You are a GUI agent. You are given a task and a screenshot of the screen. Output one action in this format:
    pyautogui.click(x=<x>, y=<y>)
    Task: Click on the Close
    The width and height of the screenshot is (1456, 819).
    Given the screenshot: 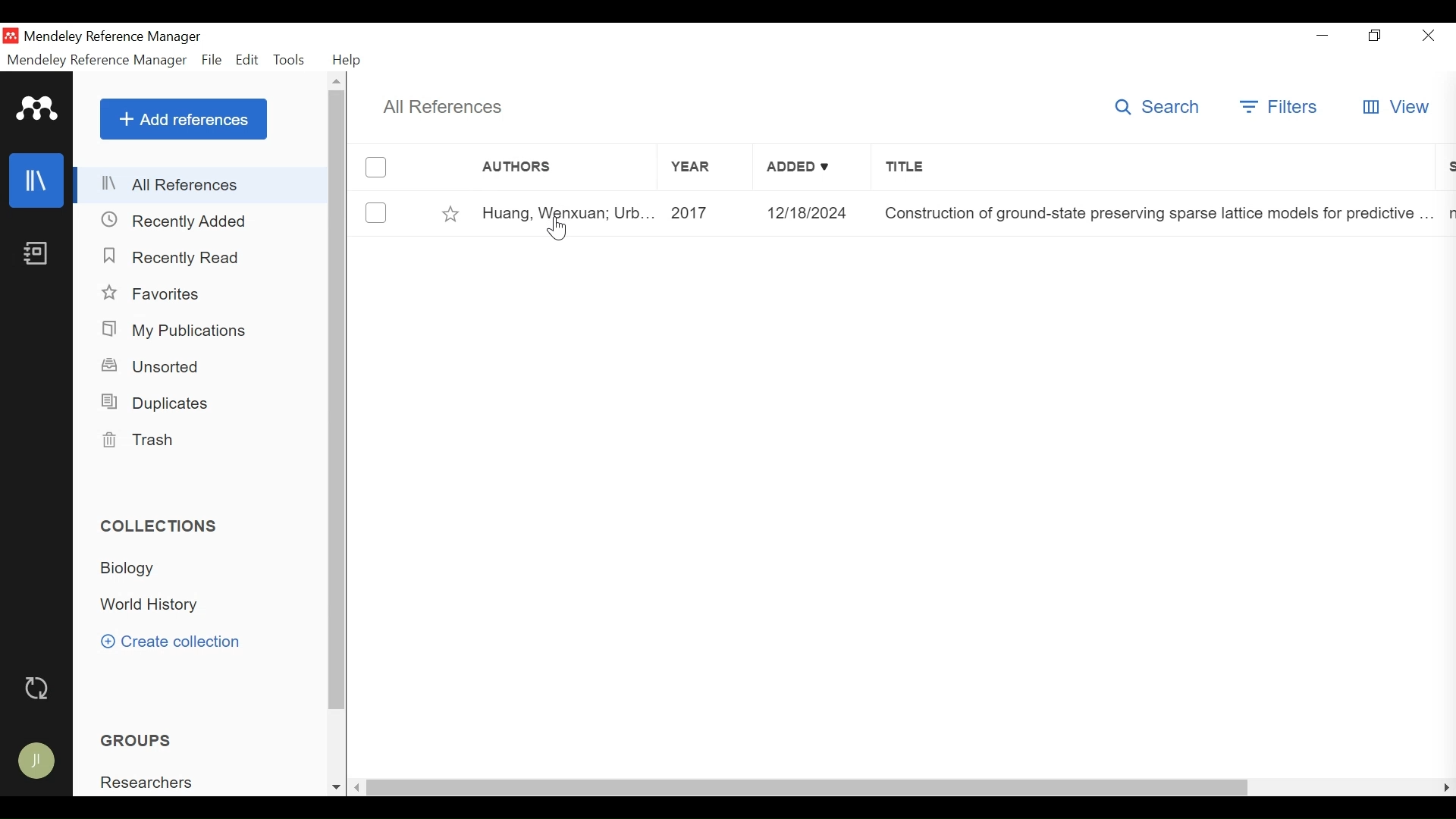 What is the action you would take?
    pyautogui.click(x=1429, y=36)
    